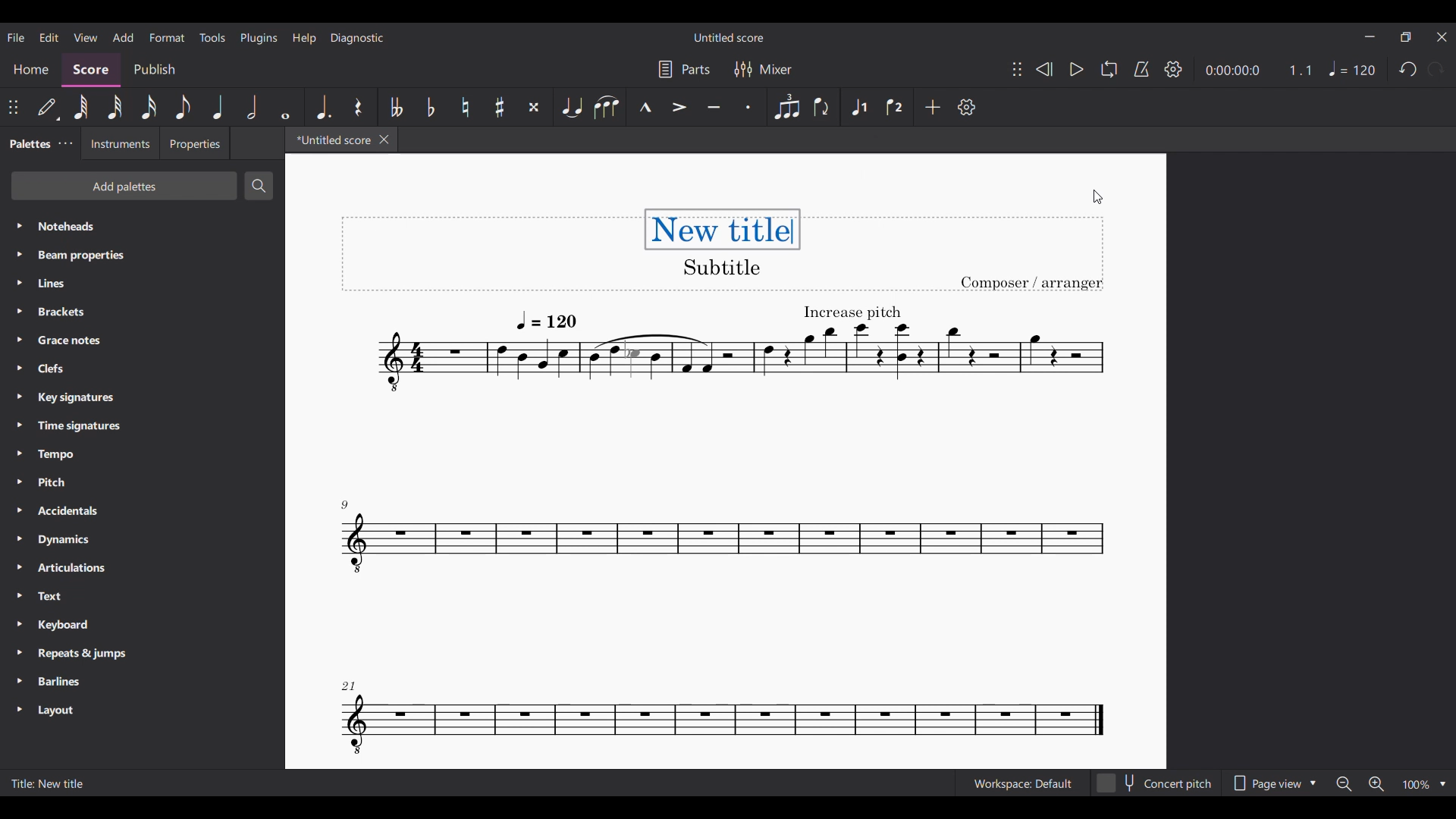 This screenshot has height=819, width=1456. I want to click on Properties, so click(194, 143).